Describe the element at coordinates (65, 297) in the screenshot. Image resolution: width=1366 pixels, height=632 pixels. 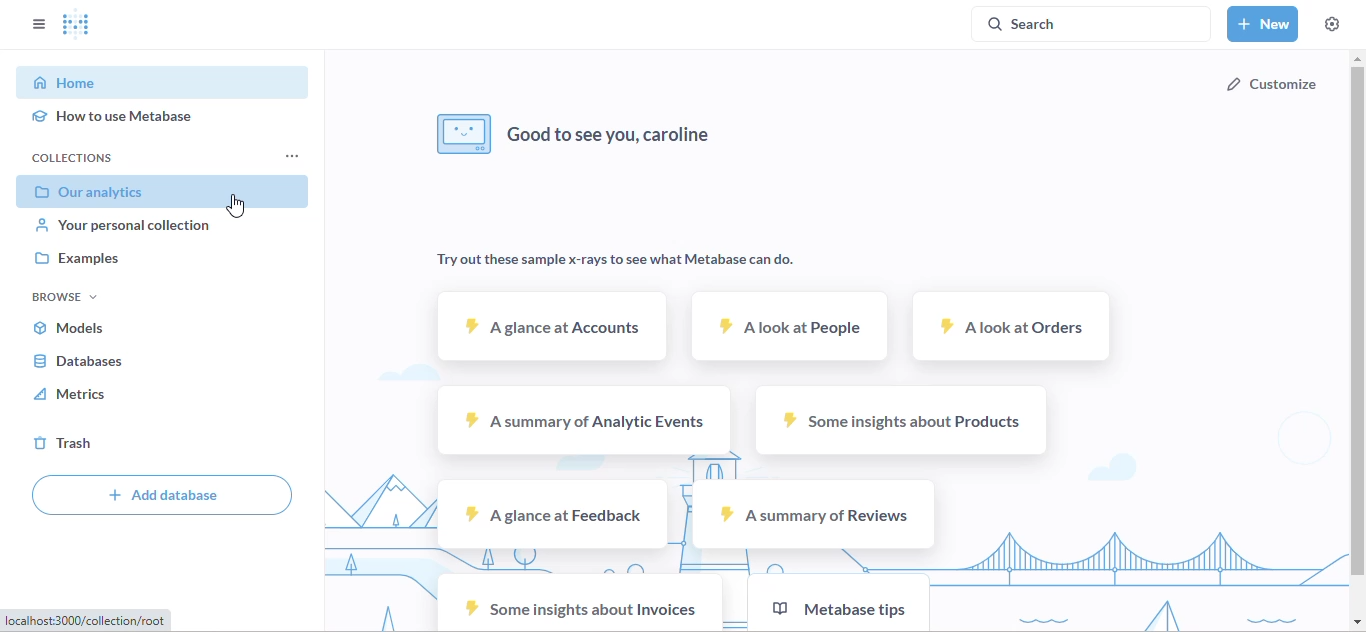
I see `browse` at that location.